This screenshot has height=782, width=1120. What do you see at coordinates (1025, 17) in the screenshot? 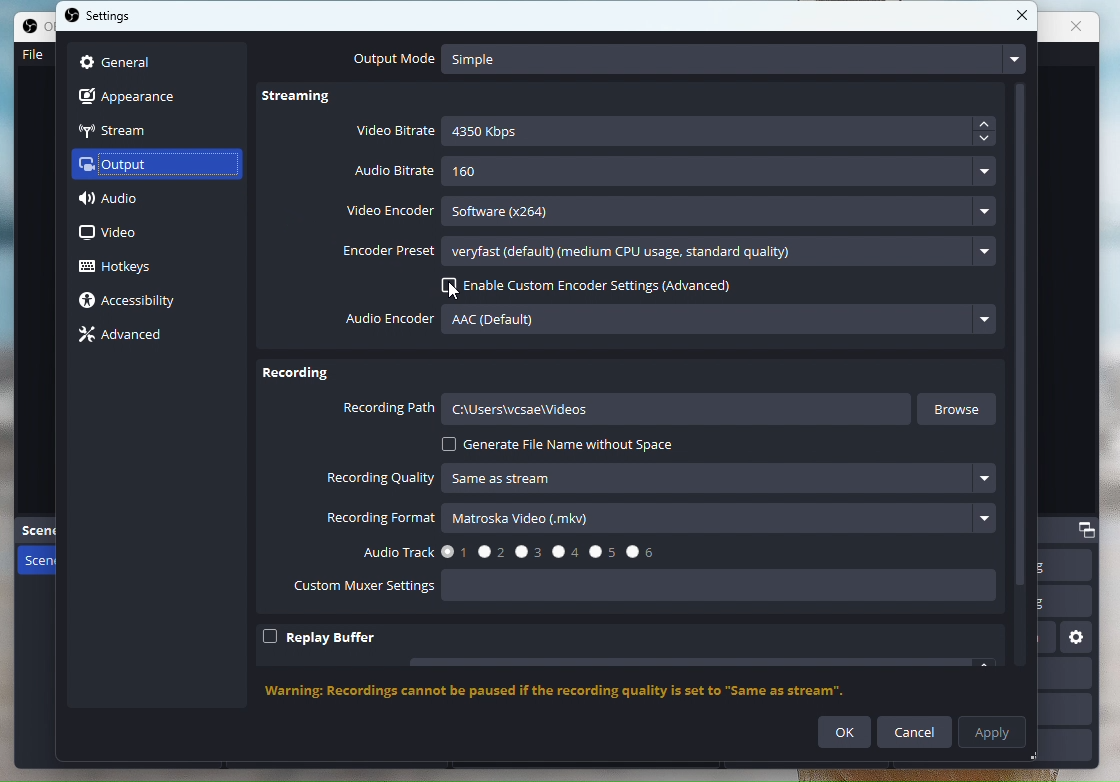
I see `Close` at bounding box center [1025, 17].